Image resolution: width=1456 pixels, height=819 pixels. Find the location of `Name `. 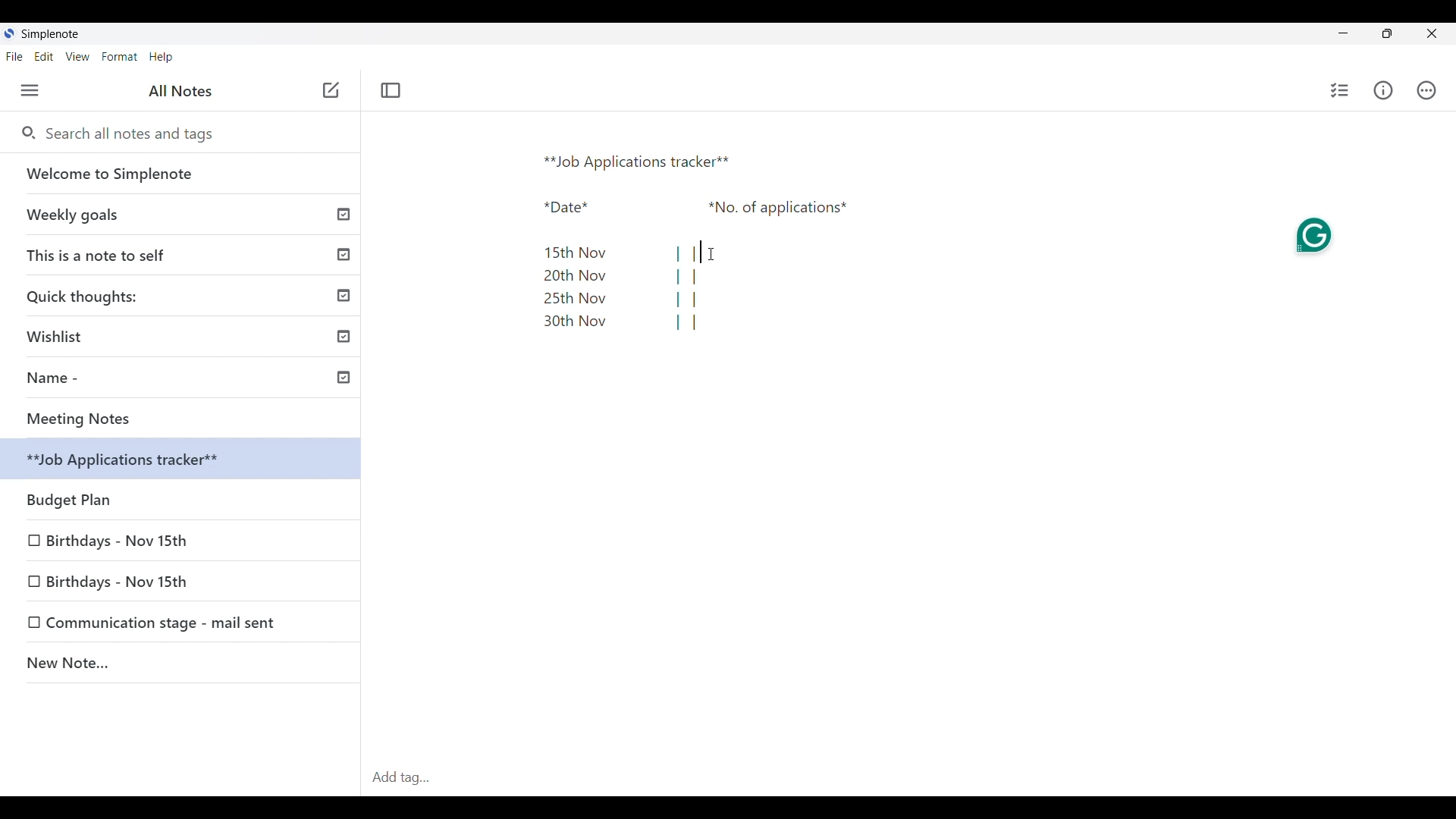

Name  is located at coordinates (187, 380).